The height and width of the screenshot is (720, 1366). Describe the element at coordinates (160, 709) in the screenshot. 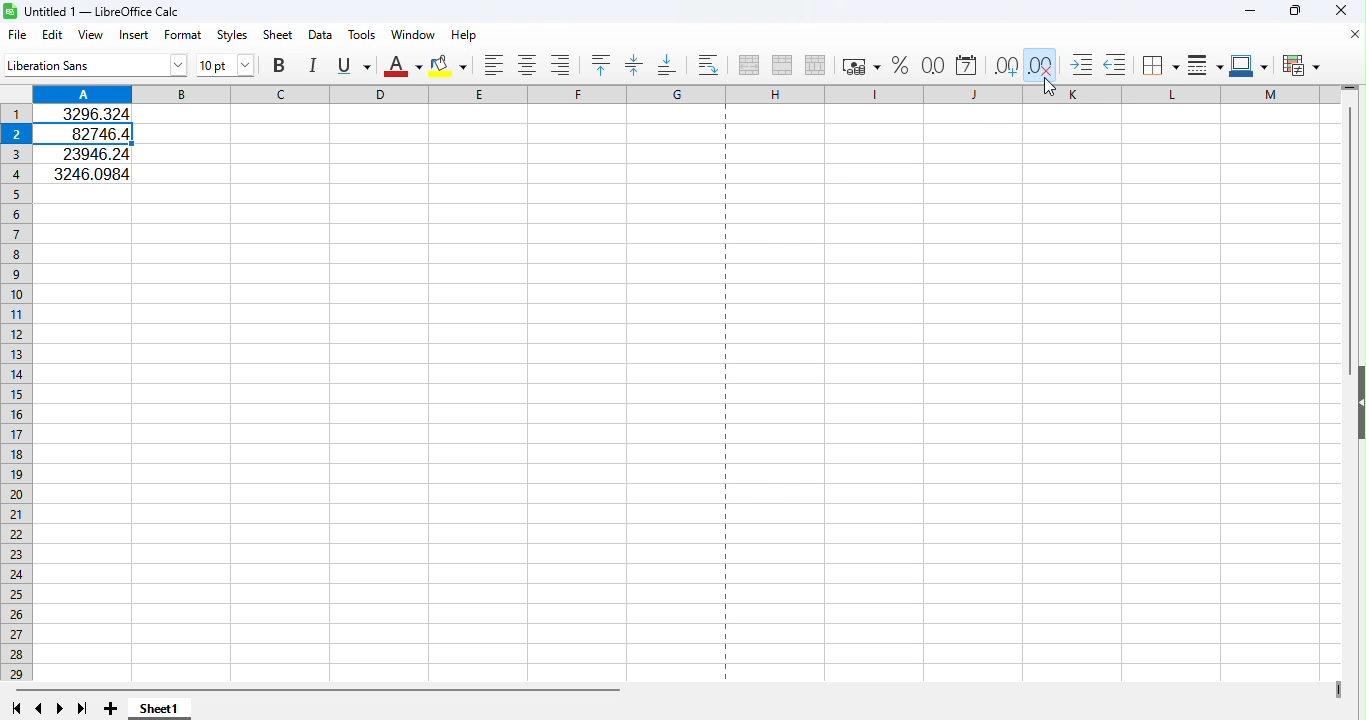

I see `Sheet1` at that location.